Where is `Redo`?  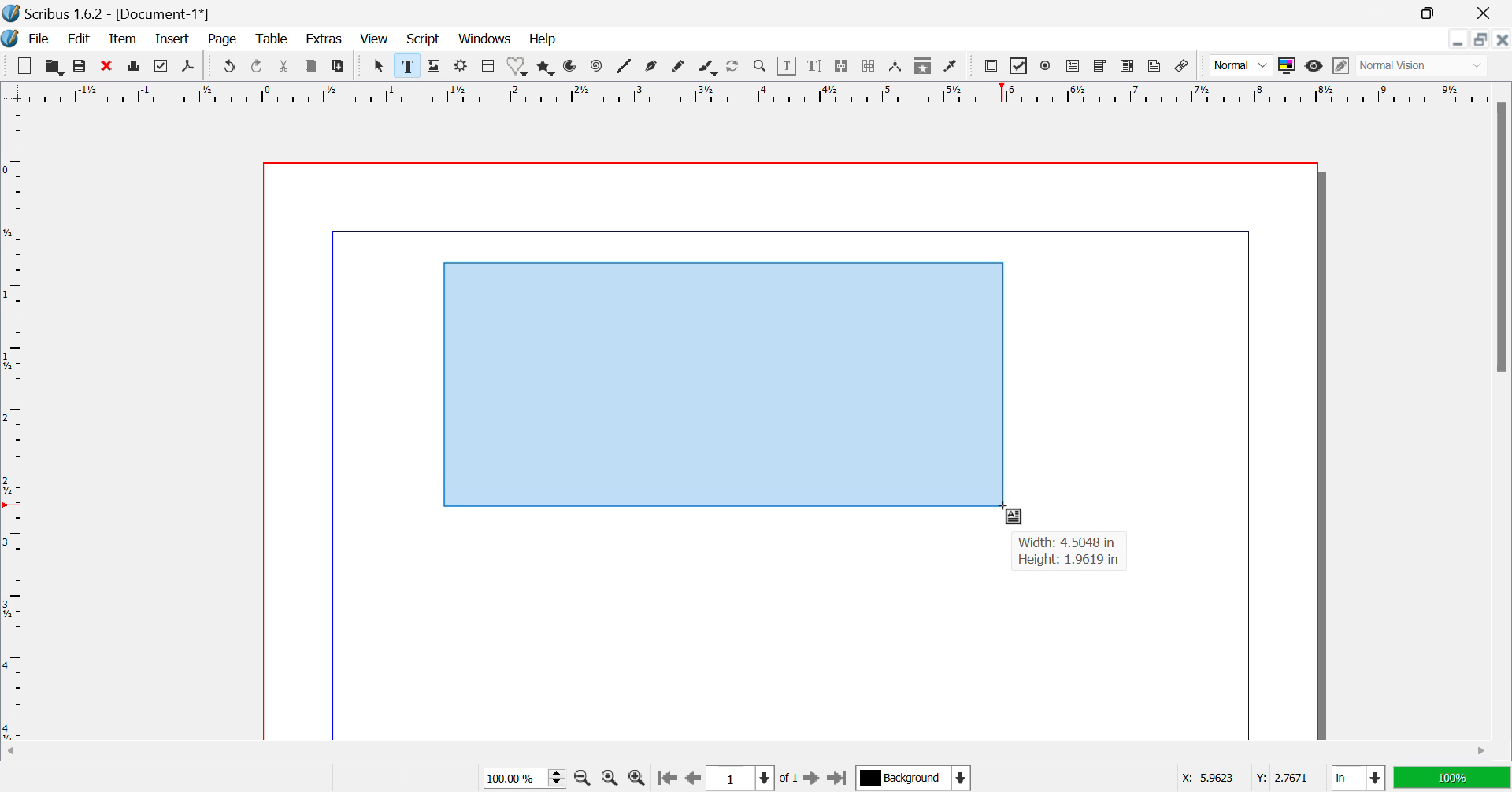 Redo is located at coordinates (257, 68).